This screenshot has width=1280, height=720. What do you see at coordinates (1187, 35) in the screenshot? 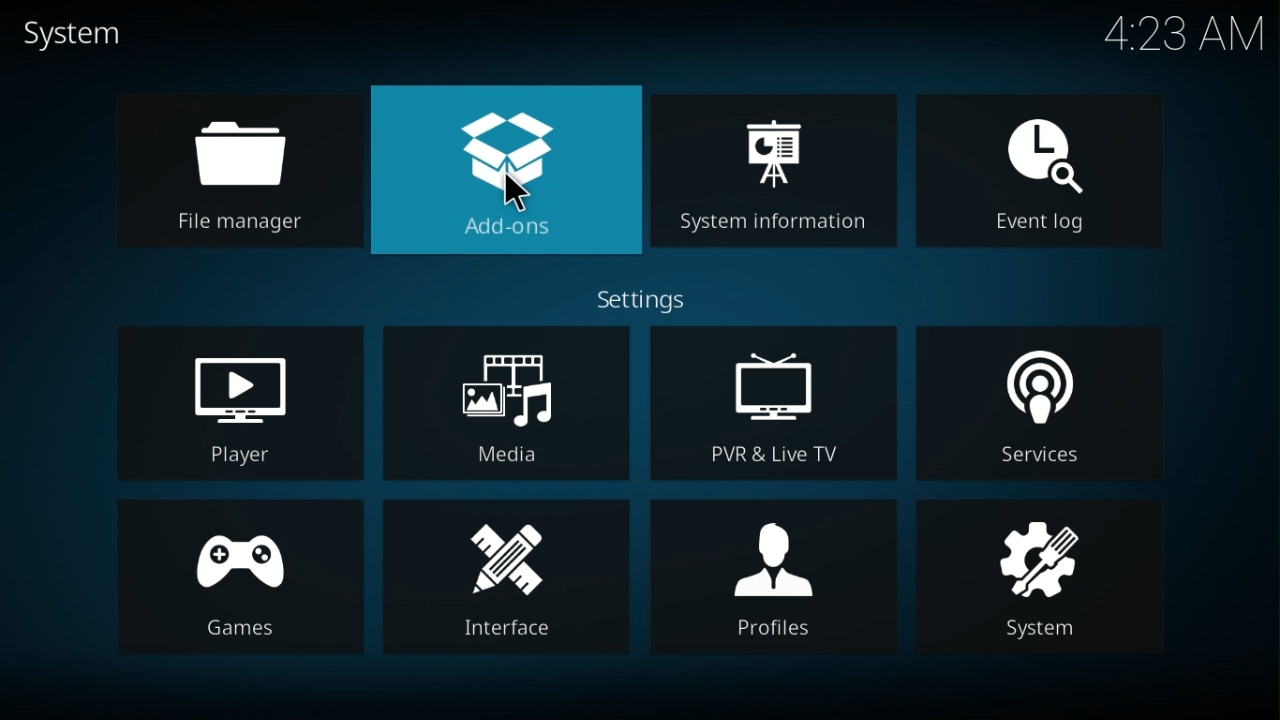
I see `time` at bounding box center [1187, 35].